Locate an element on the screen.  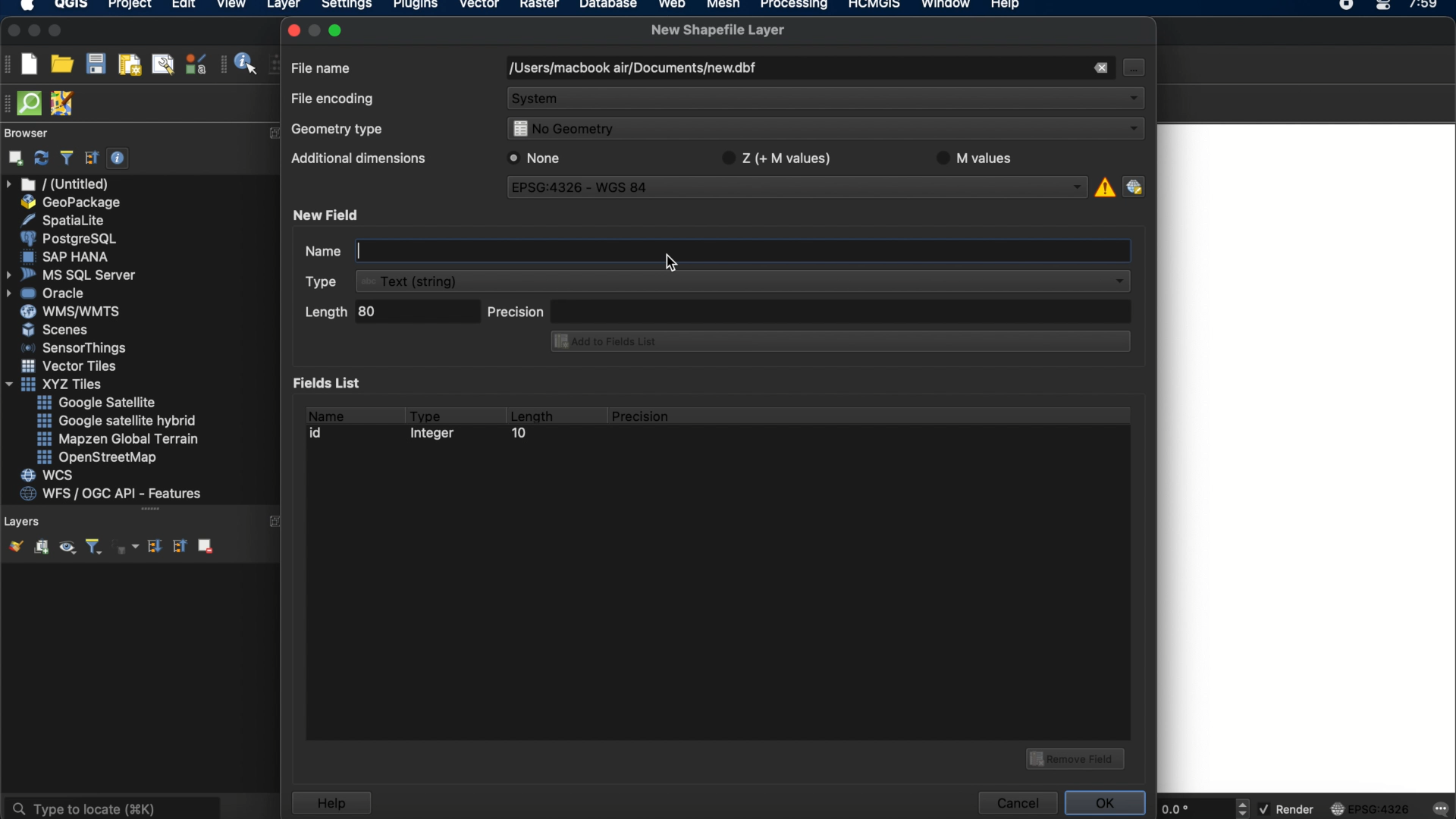
postgresql is located at coordinates (68, 239).